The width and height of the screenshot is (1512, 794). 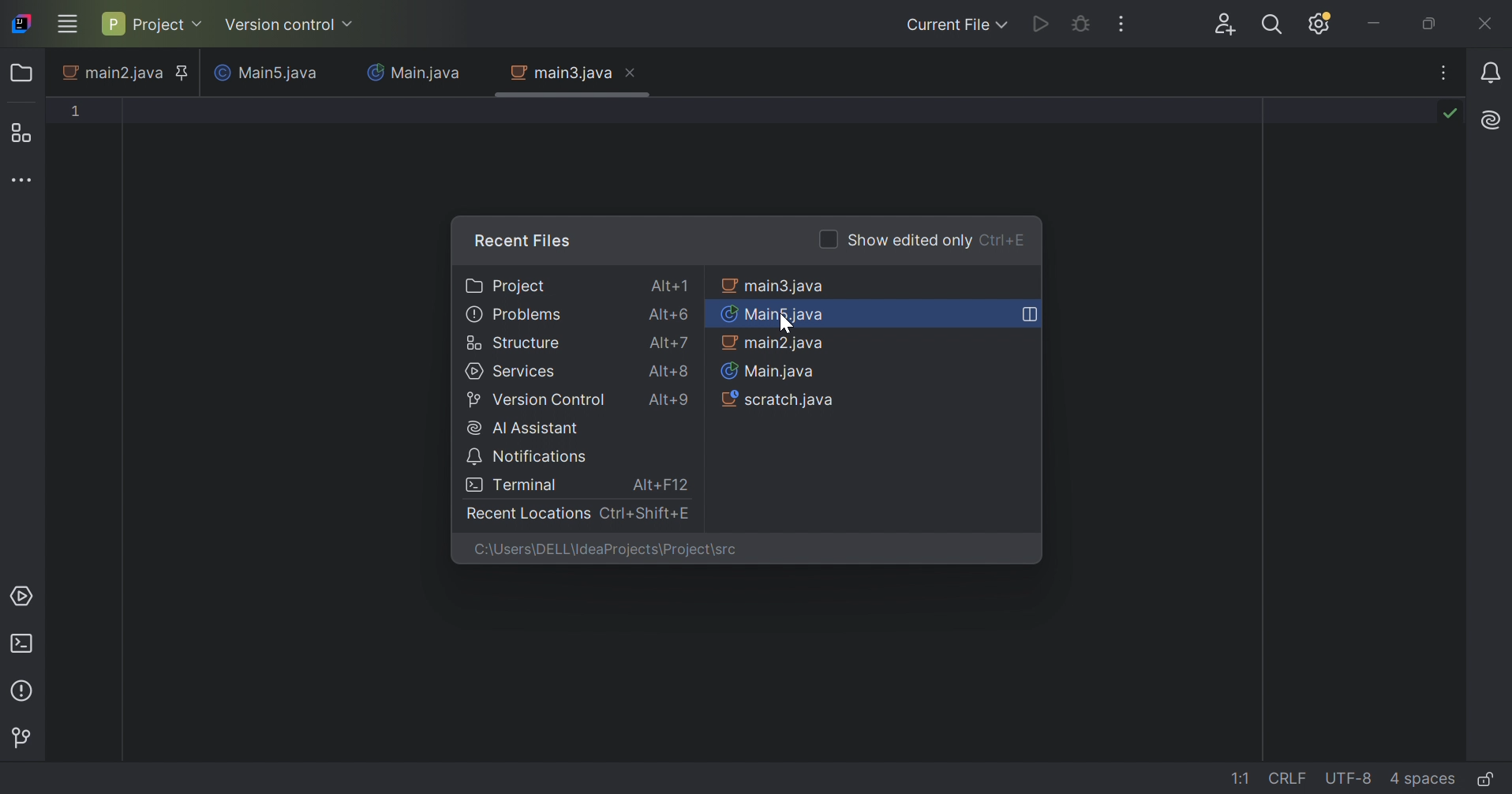 I want to click on Restore down, so click(x=1429, y=23).